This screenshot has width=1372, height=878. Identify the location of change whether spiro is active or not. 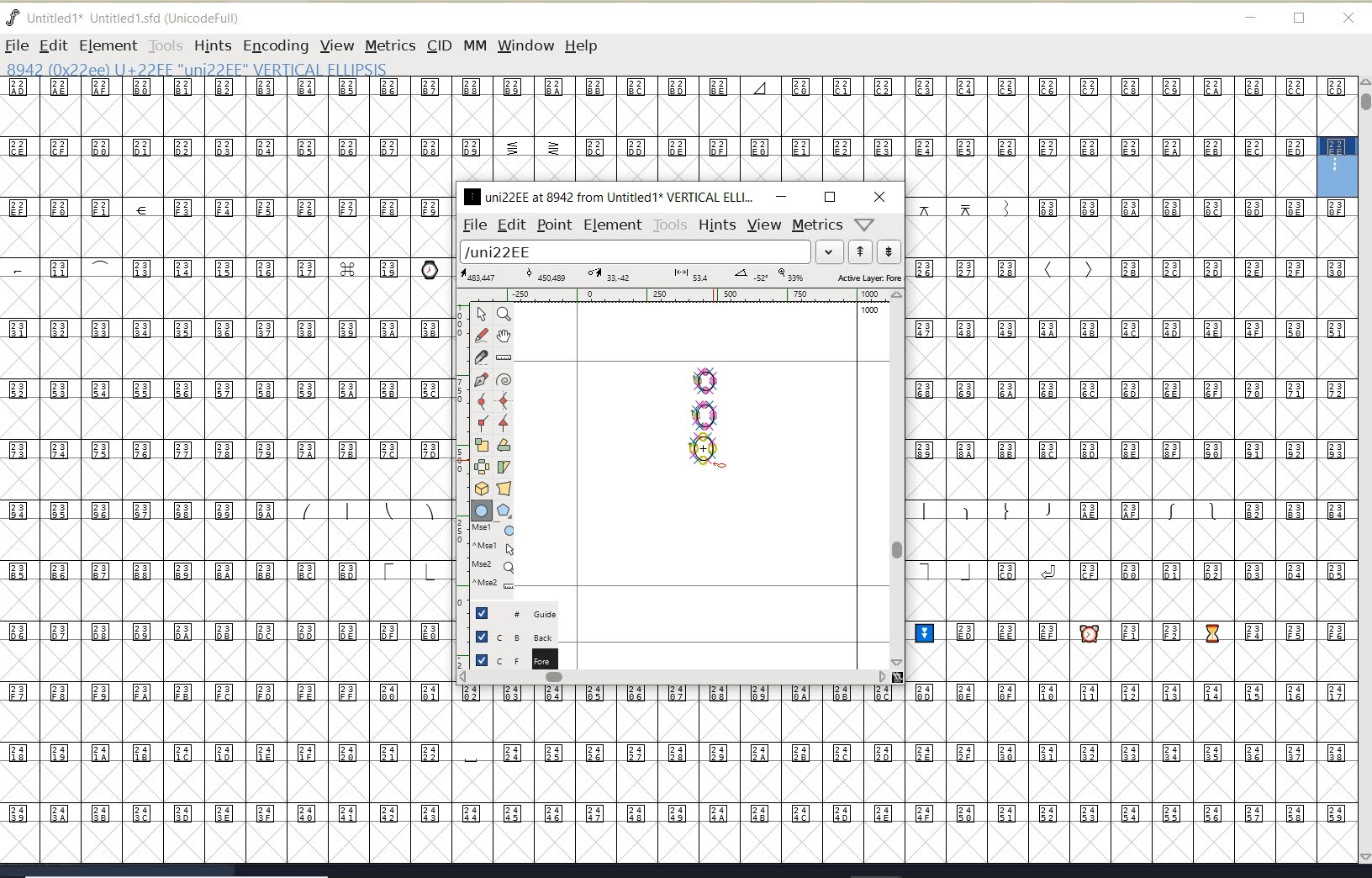
(504, 382).